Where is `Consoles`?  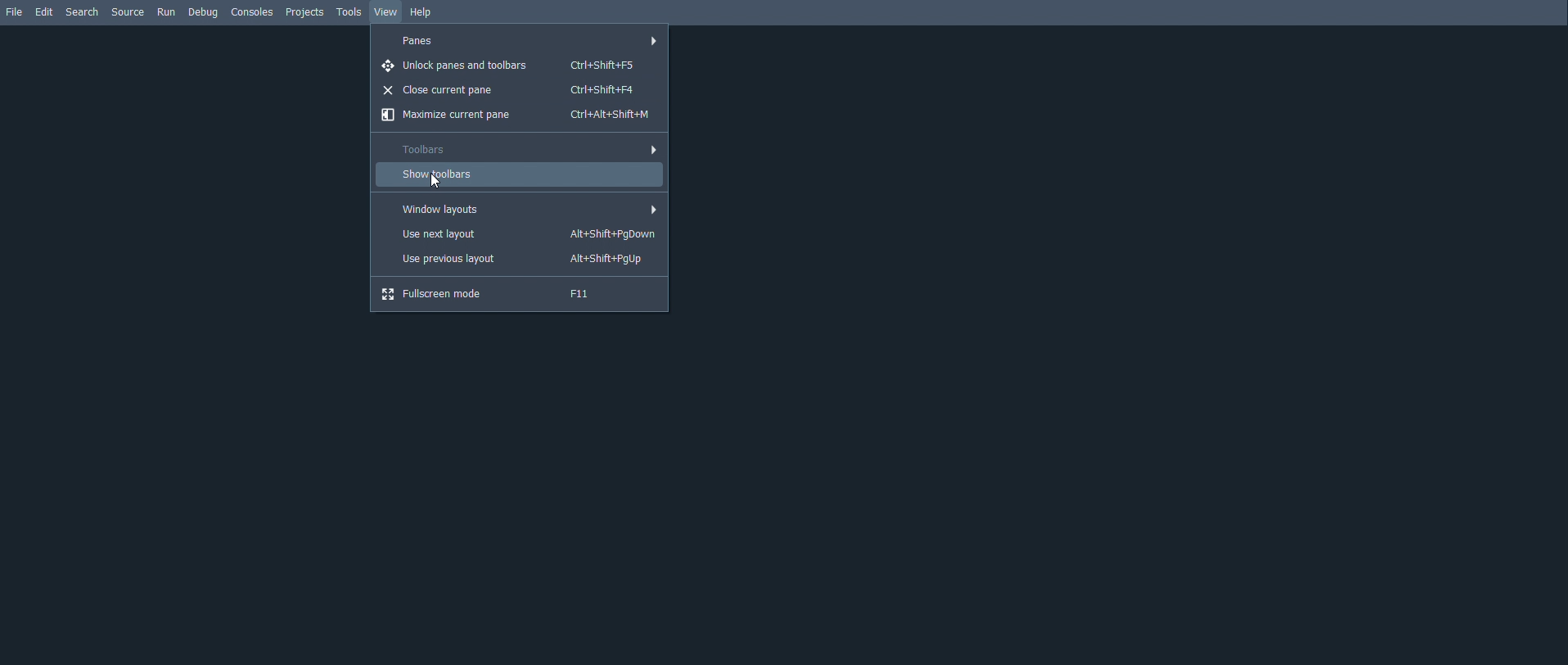 Consoles is located at coordinates (252, 13).